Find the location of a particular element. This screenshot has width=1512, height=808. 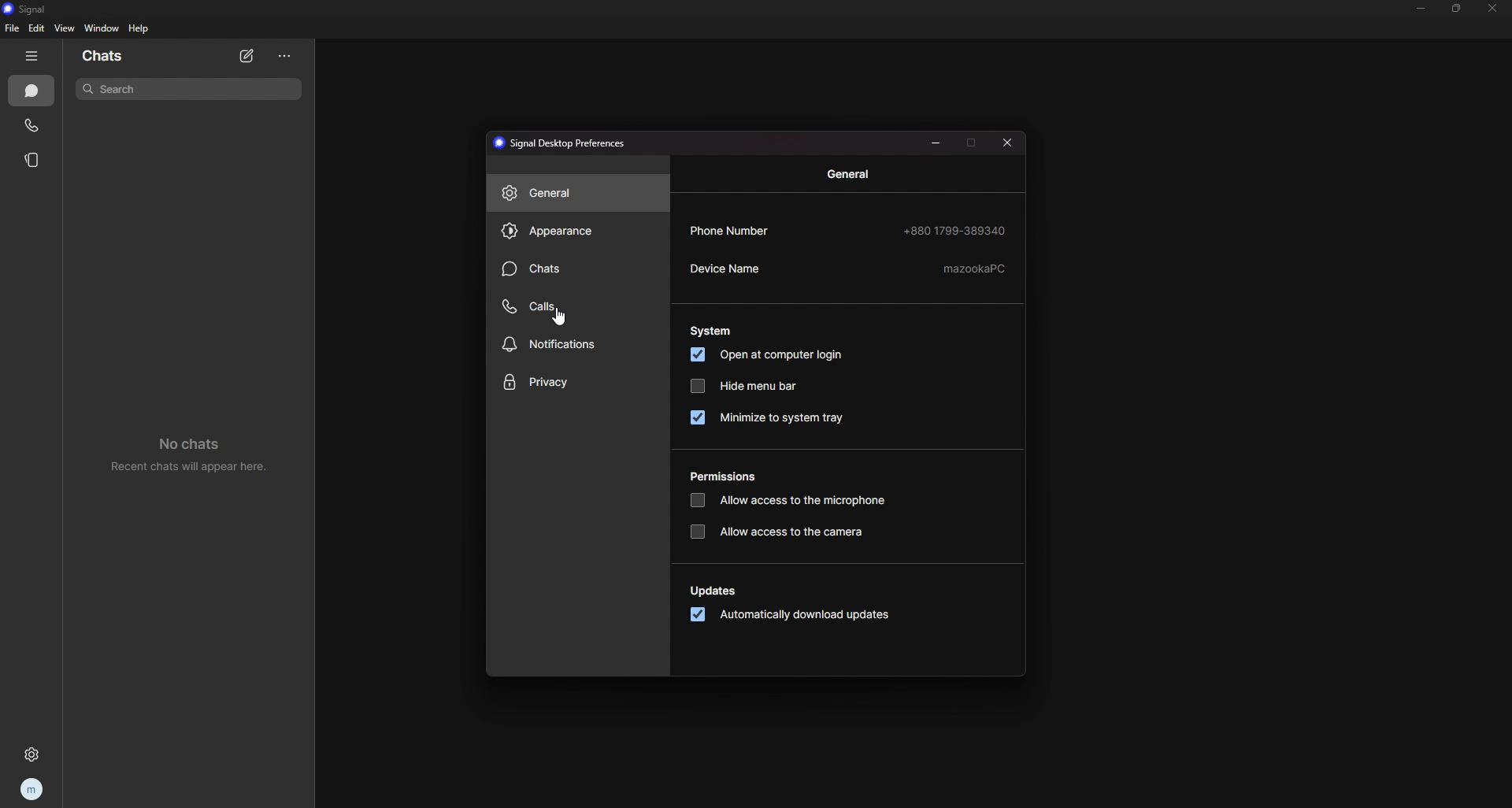

new chat is located at coordinates (248, 57).